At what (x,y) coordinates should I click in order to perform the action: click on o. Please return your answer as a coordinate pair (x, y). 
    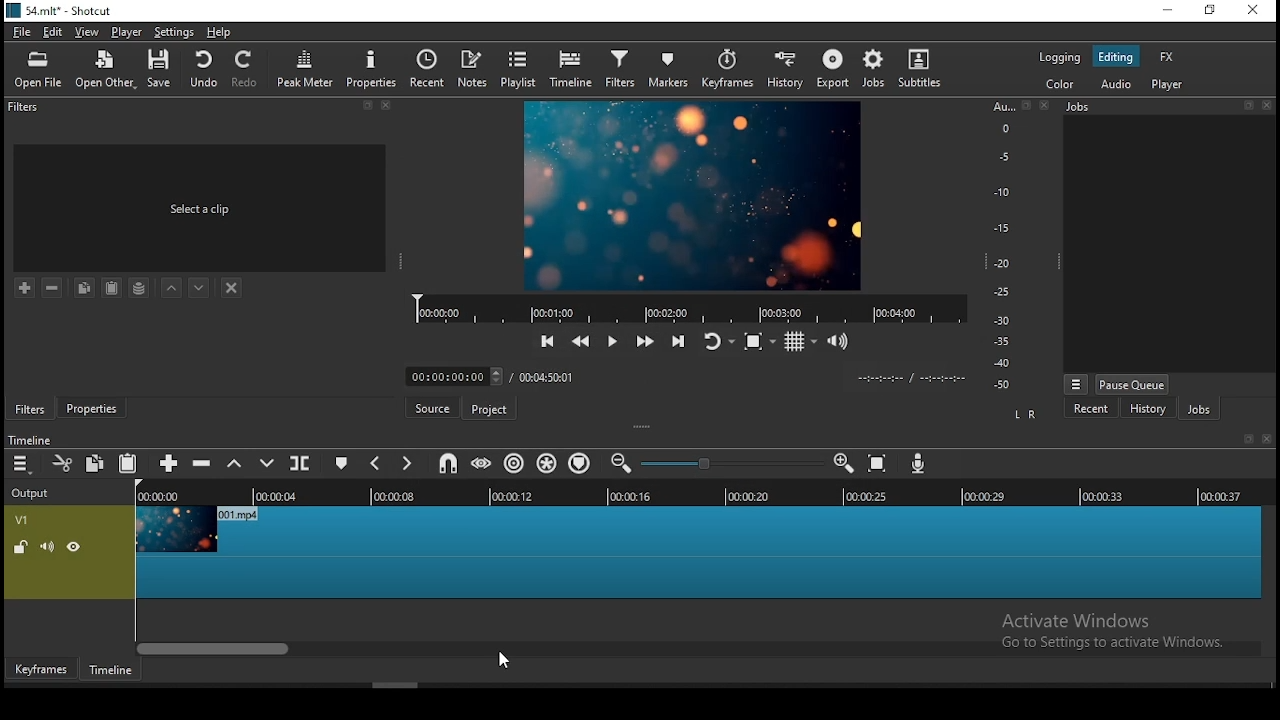
    Looking at the image, I should click on (998, 127).